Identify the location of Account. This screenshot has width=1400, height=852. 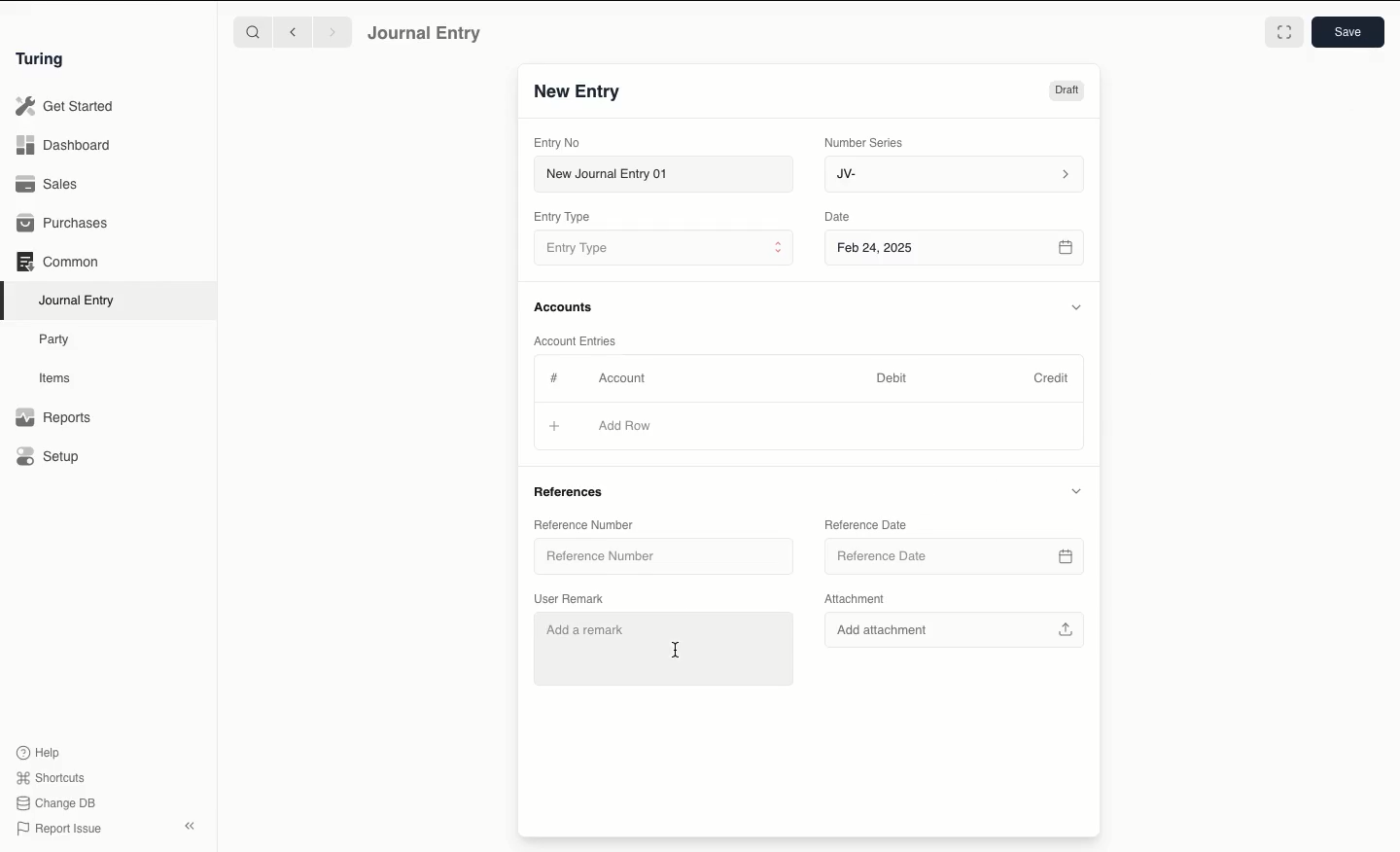
(623, 378).